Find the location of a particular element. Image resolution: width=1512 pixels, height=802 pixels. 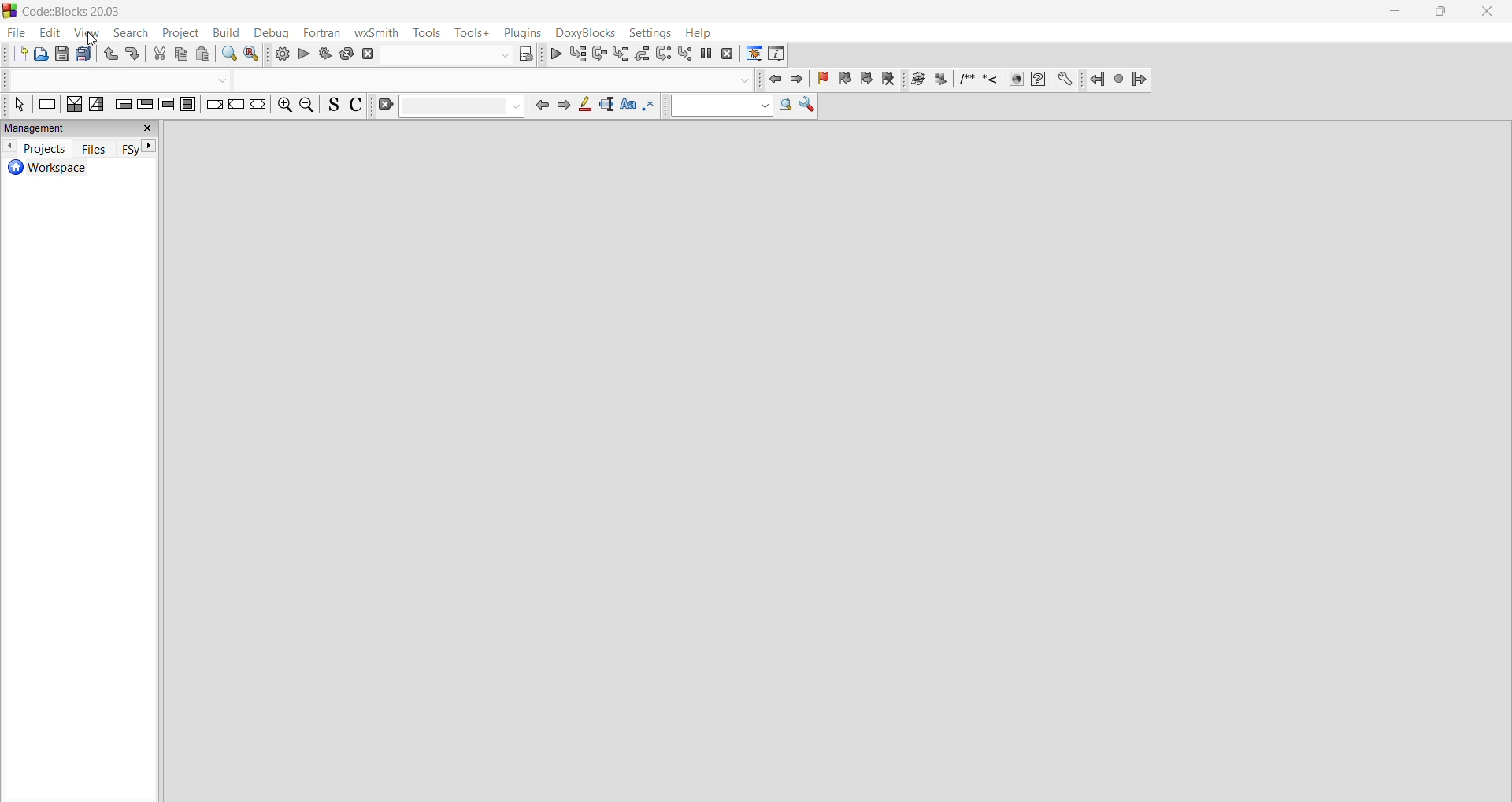

abort is located at coordinates (369, 56).